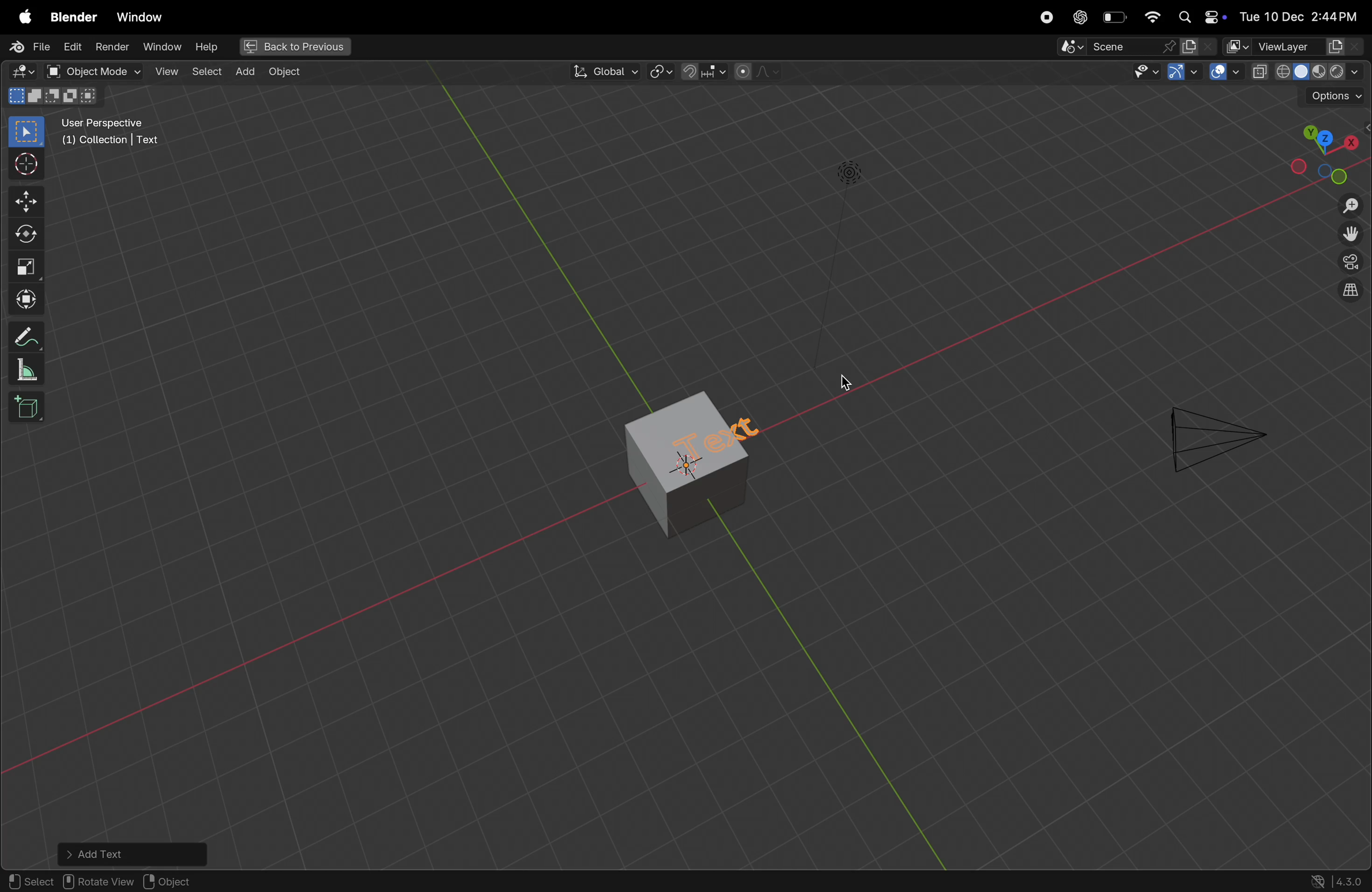  What do you see at coordinates (1152, 17) in the screenshot?
I see `wifi` at bounding box center [1152, 17].